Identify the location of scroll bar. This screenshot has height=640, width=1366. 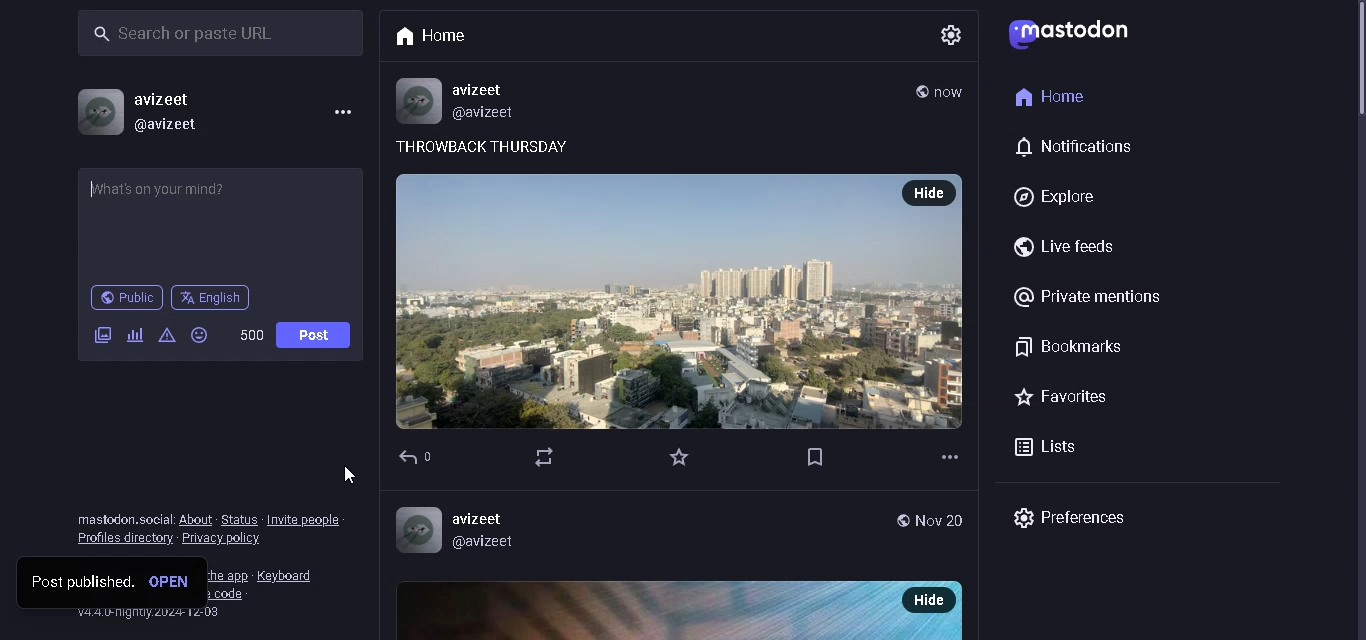
(1358, 71).